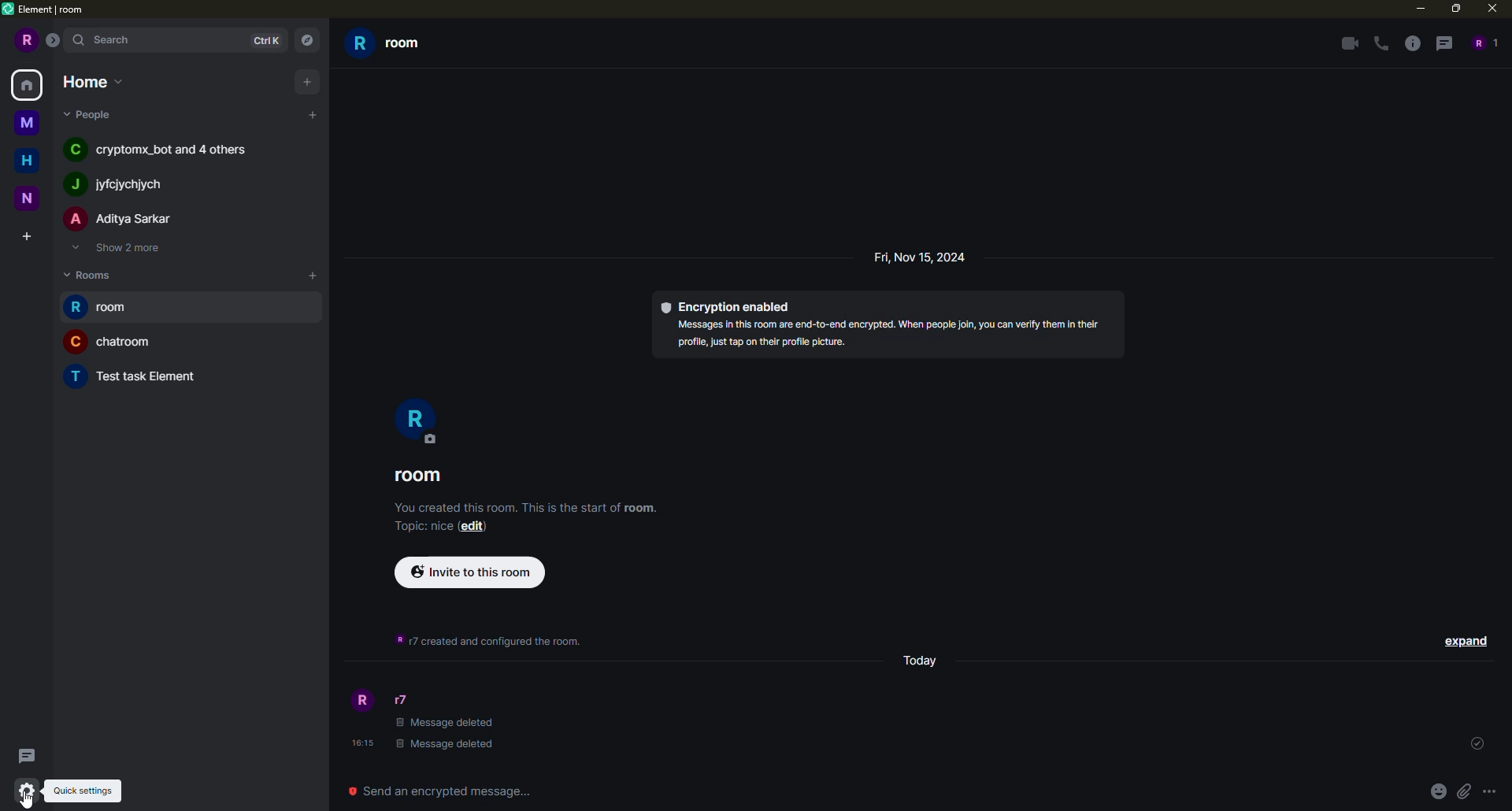 This screenshot has height=811, width=1512. I want to click on expand, so click(1466, 640).